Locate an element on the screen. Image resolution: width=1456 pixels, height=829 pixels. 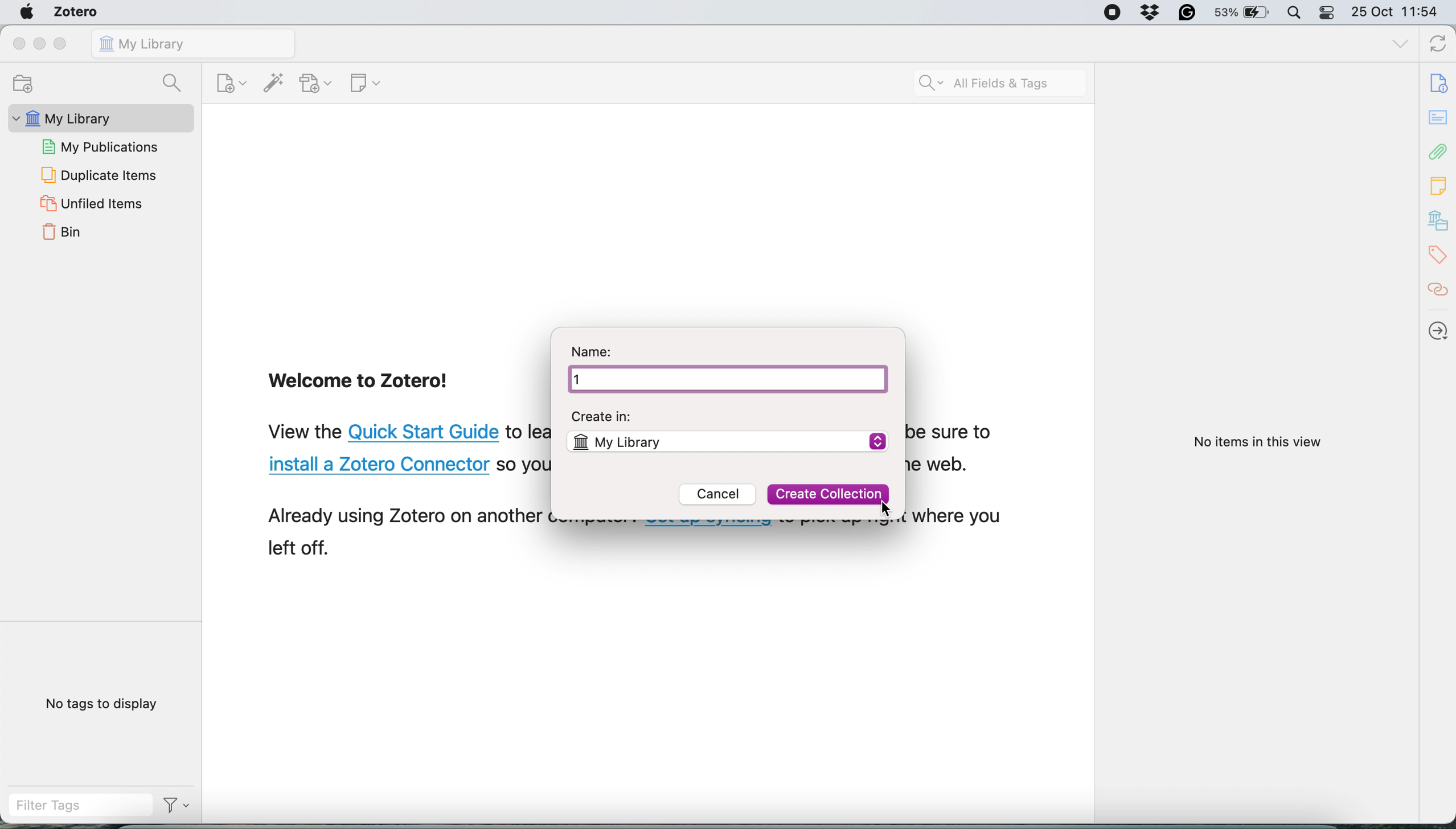
my library is located at coordinates (194, 43).